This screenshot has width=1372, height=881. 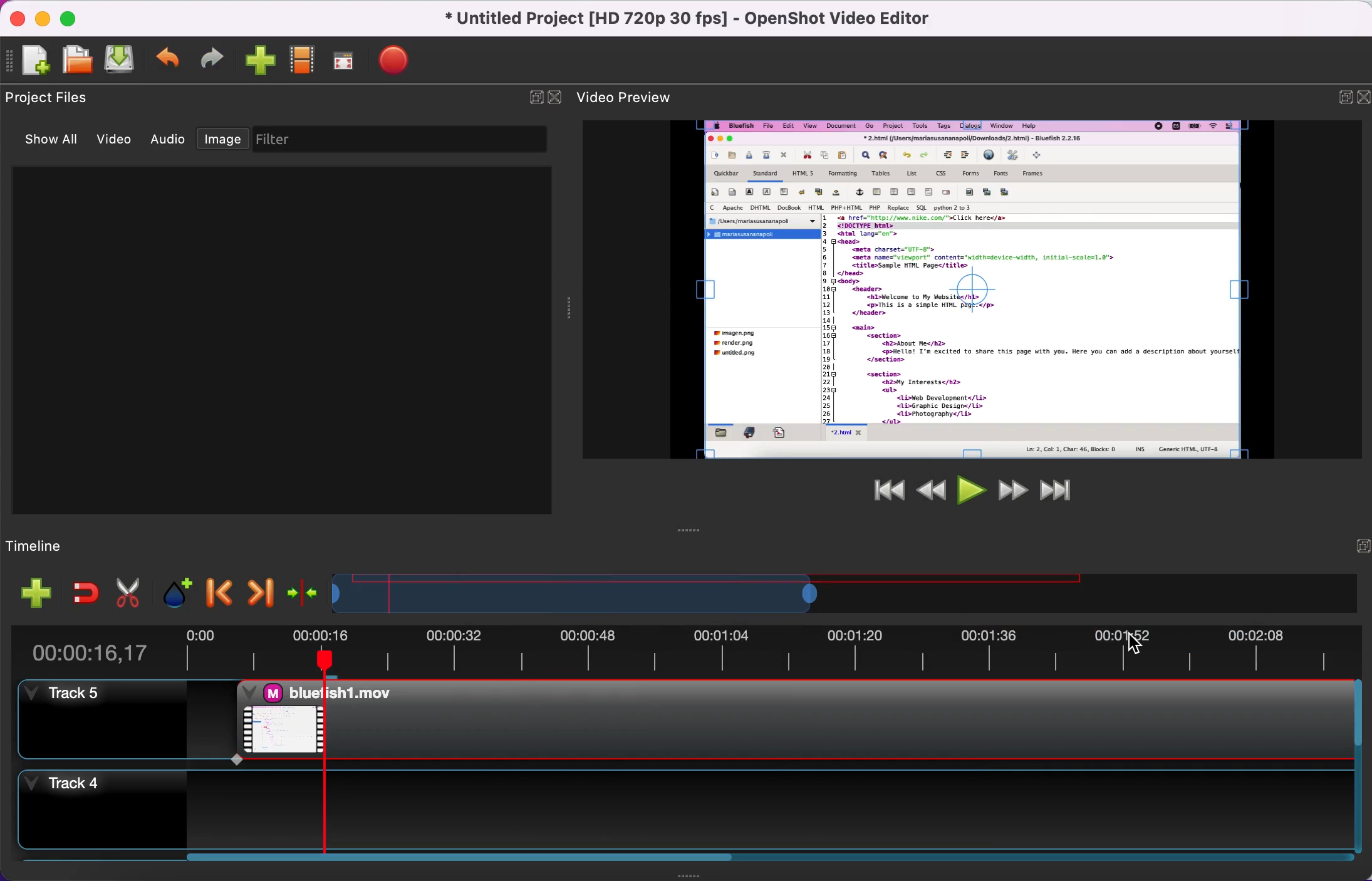 What do you see at coordinates (80, 61) in the screenshot?
I see `open project` at bounding box center [80, 61].